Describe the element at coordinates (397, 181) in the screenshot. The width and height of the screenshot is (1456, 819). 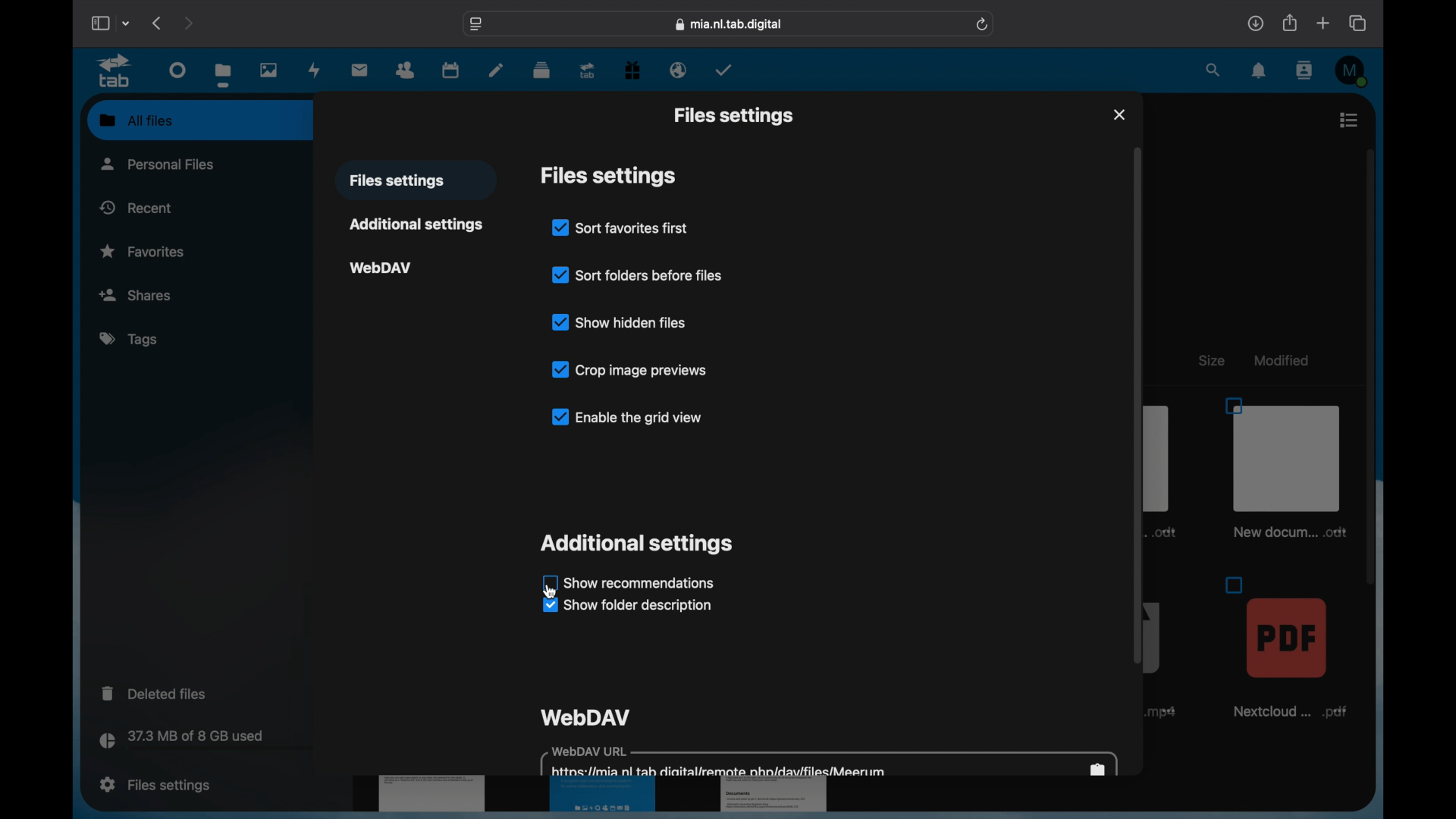
I see `files settings` at that location.